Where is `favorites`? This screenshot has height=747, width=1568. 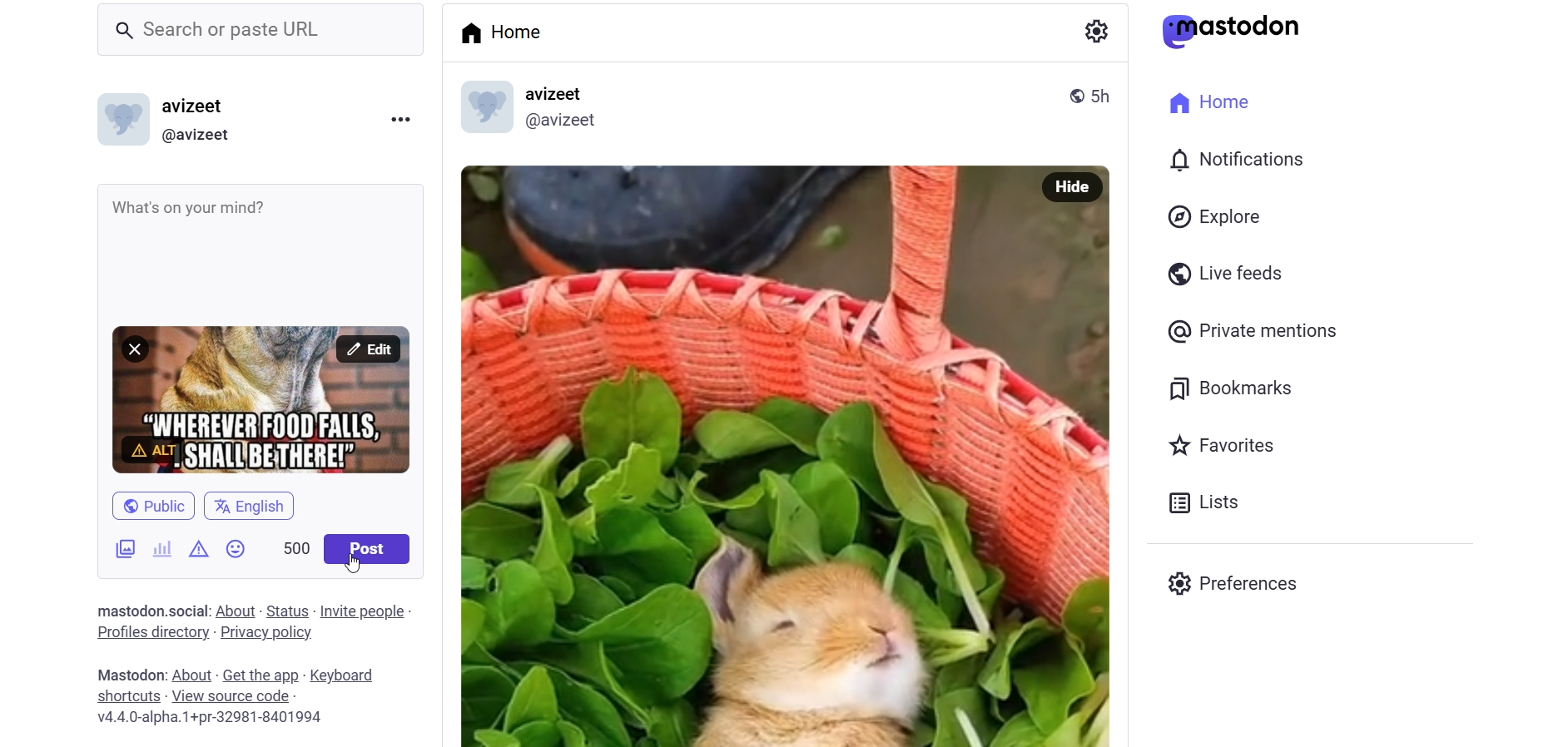
favorites is located at coordinates (1228, 448).